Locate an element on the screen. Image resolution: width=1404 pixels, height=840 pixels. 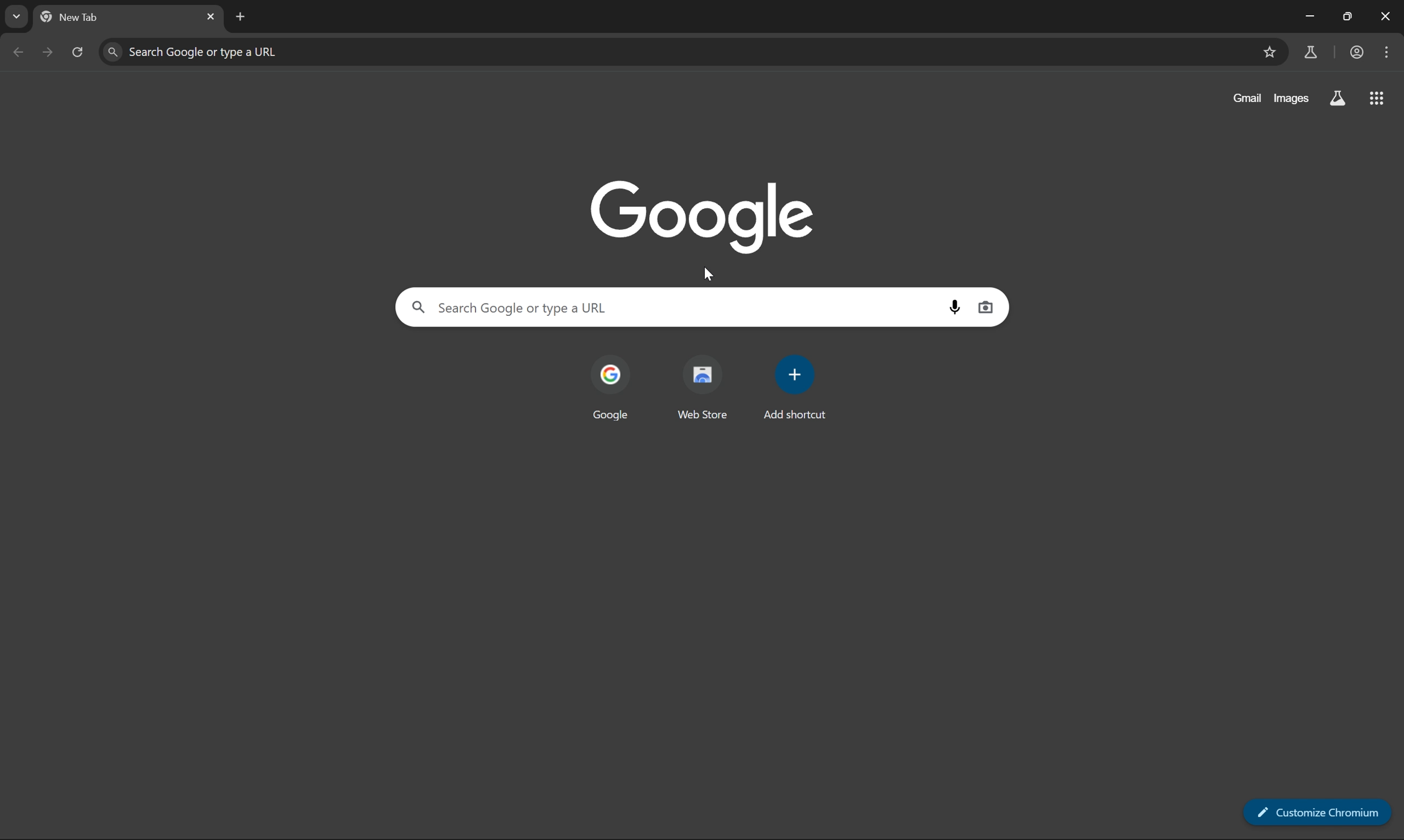
add shortcut is located at coordinates (794, 388).